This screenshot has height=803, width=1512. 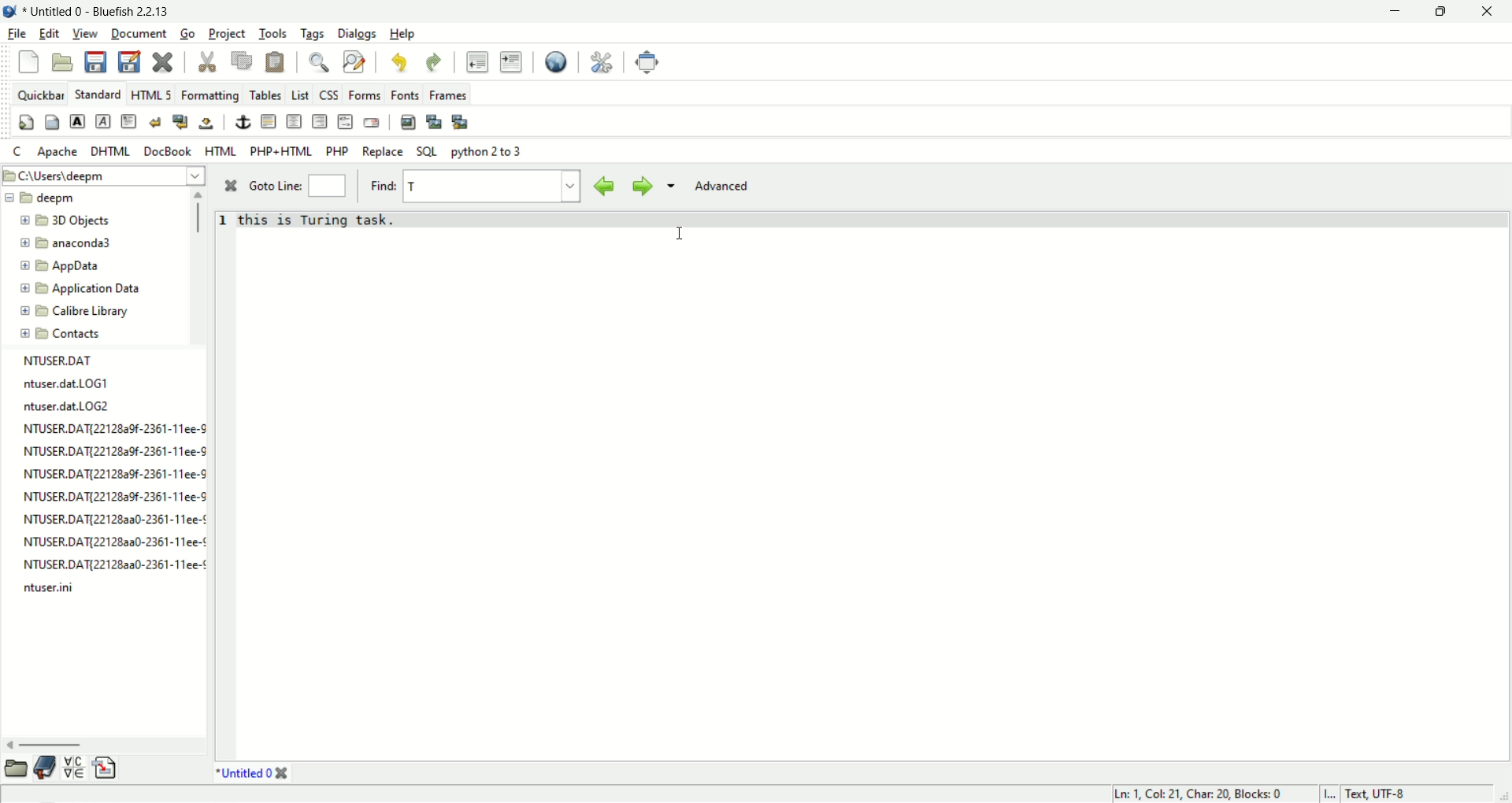 What do you see at coordinates (83, 289) in the screenshot?
I see `folder name` at bounding box center [83, 289].